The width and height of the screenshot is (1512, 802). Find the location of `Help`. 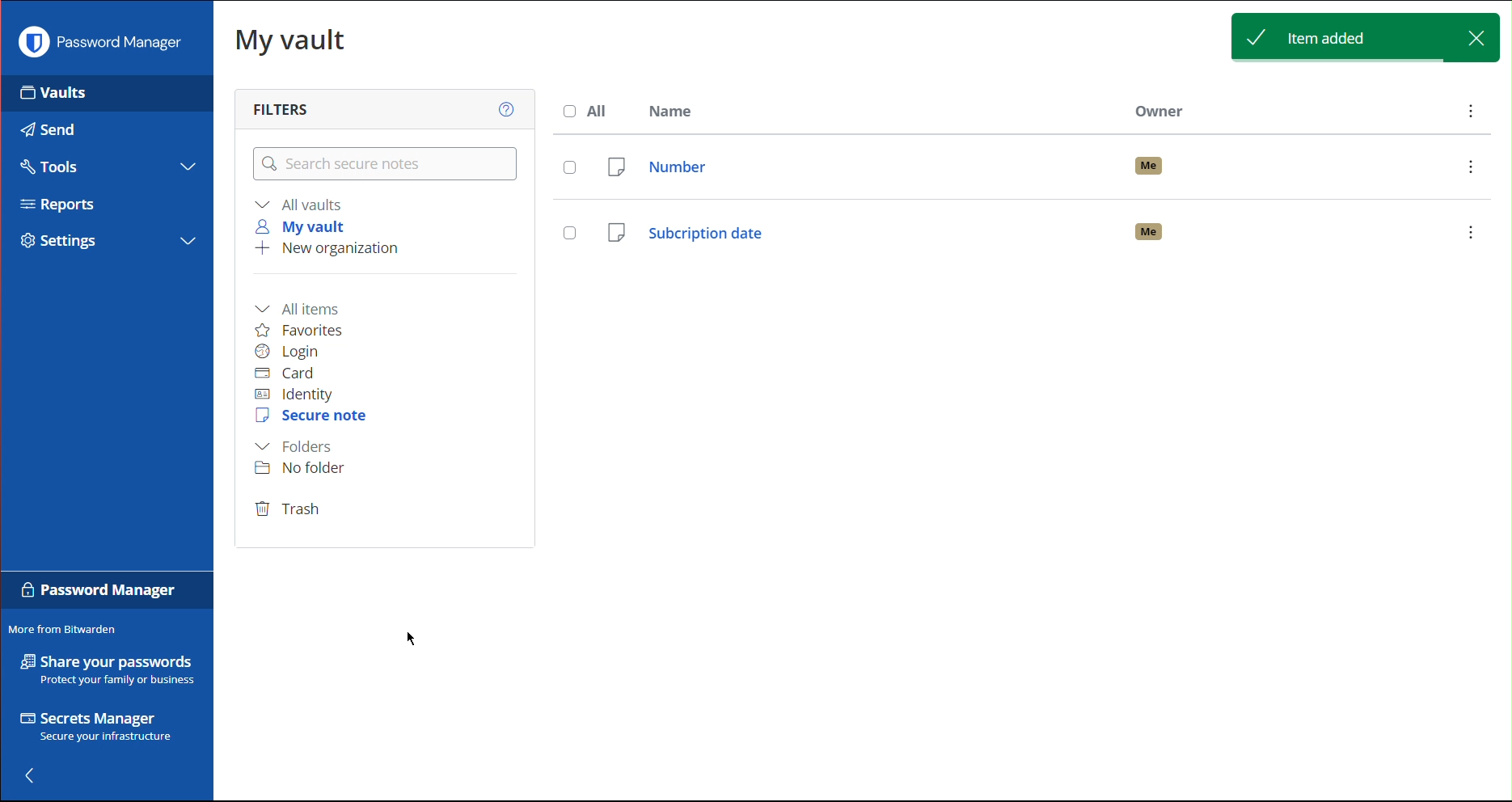

Help is located at coordinates (504, 107).